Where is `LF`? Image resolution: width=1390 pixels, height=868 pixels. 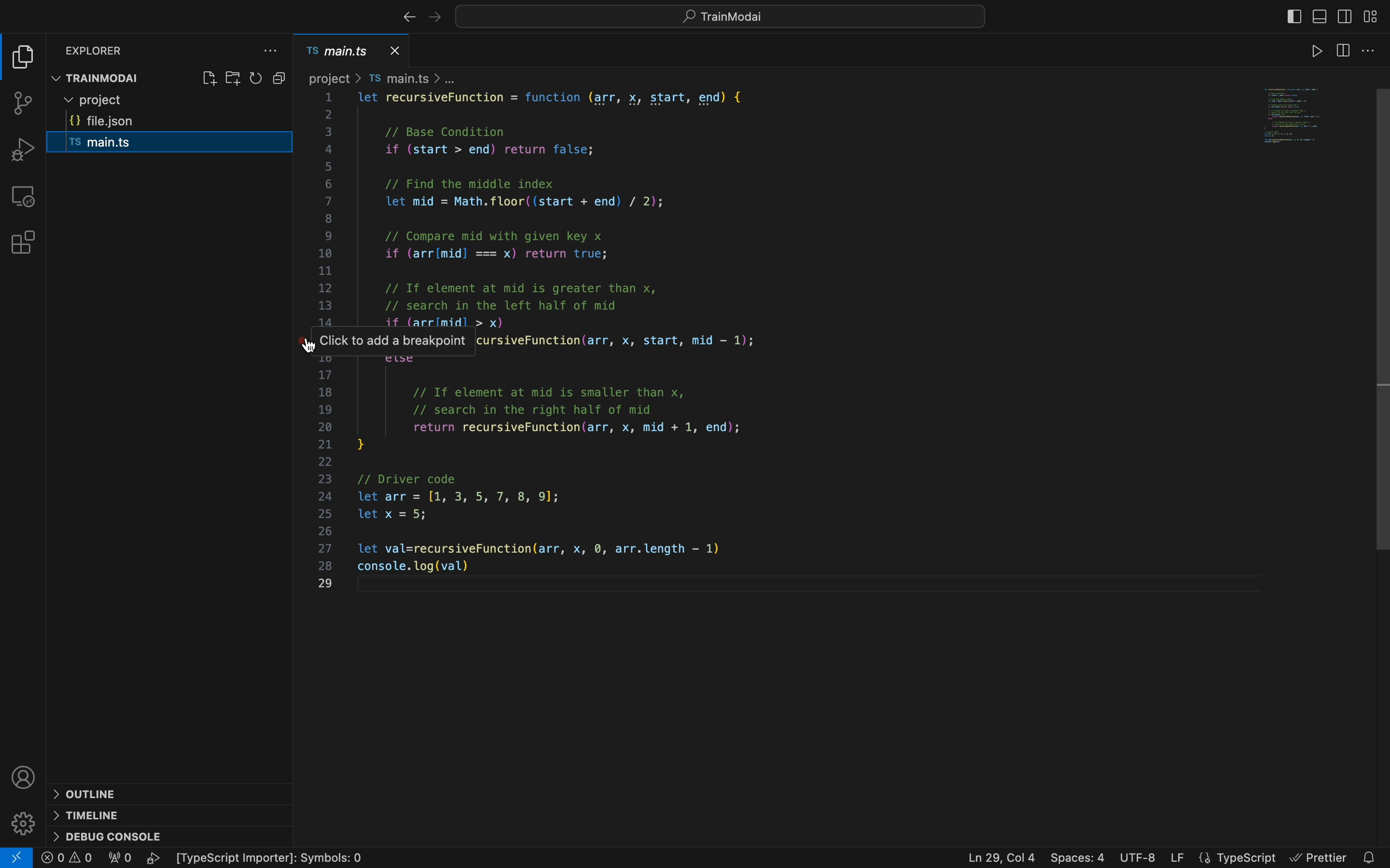 LF is located at coordinates (1173, 856).